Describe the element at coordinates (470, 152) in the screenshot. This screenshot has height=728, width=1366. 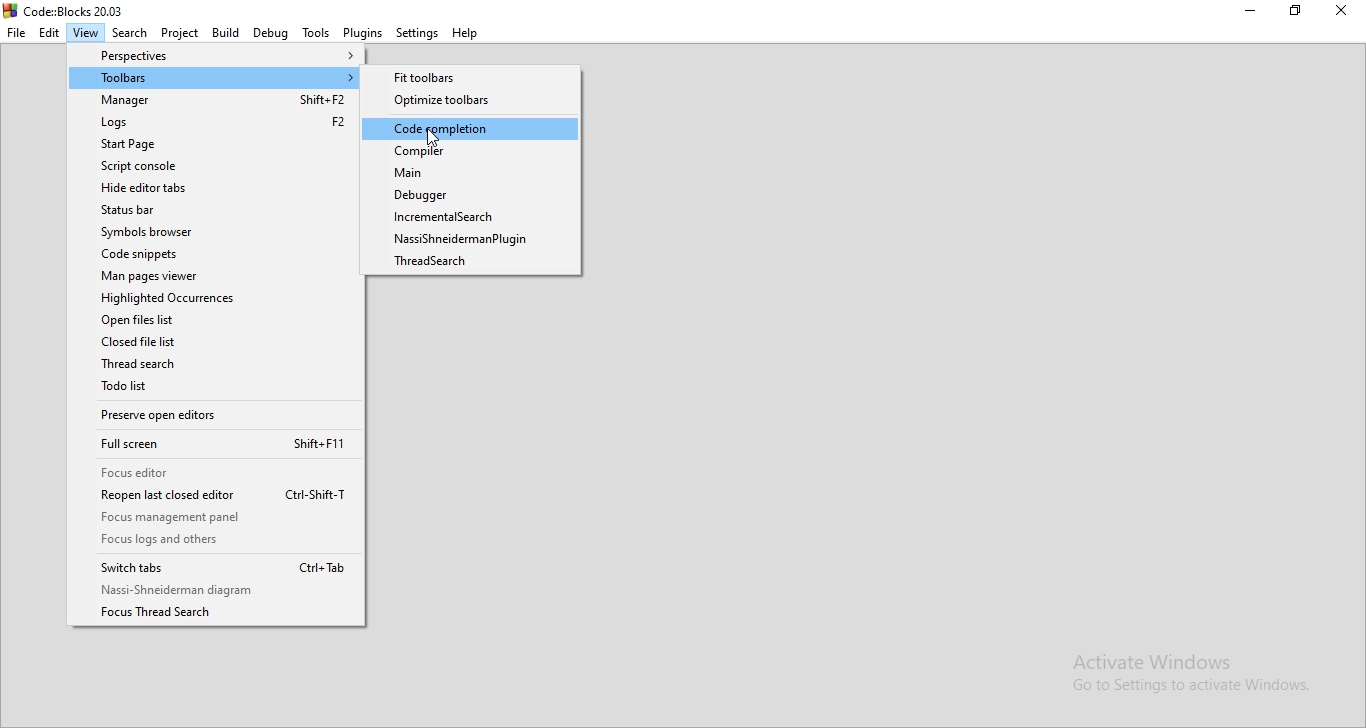
I see `Compiler` at that location.